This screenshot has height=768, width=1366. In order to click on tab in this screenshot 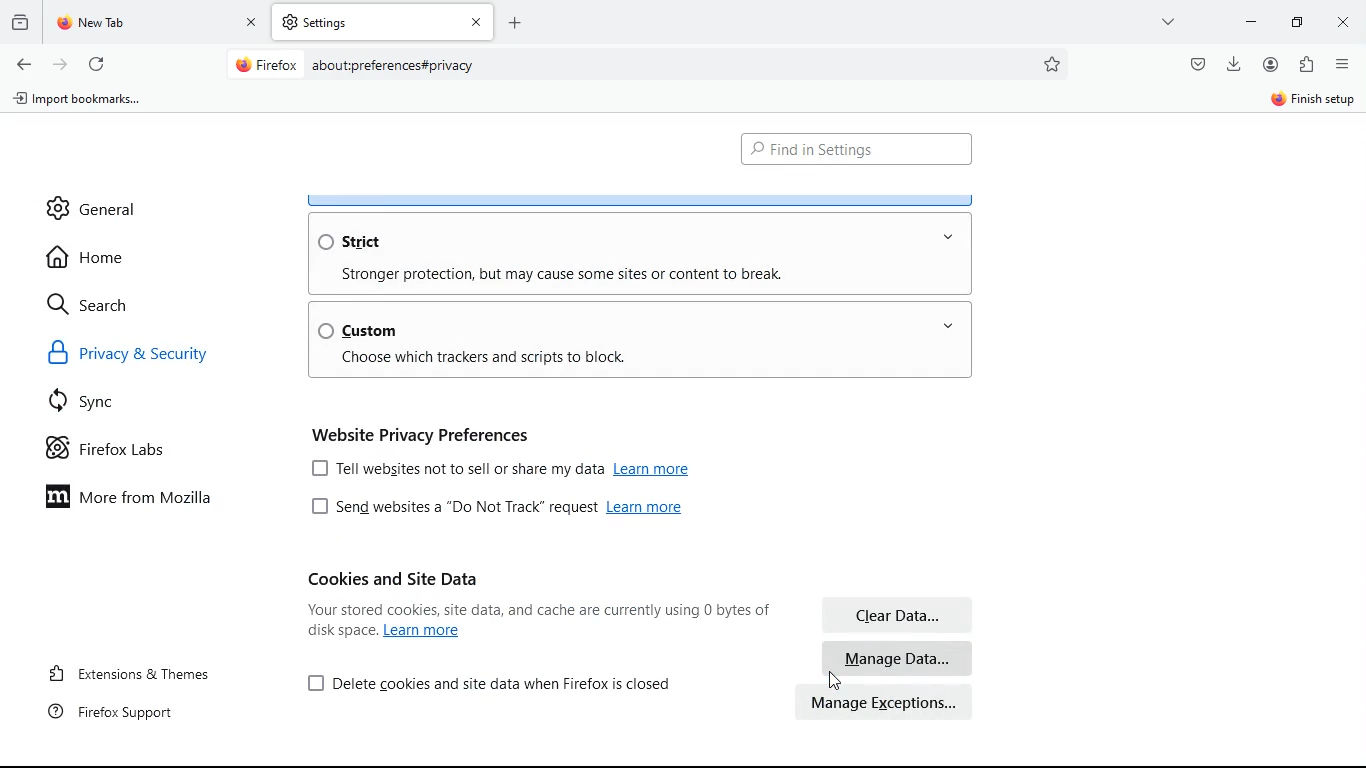, I will do `click(383, 22)`.